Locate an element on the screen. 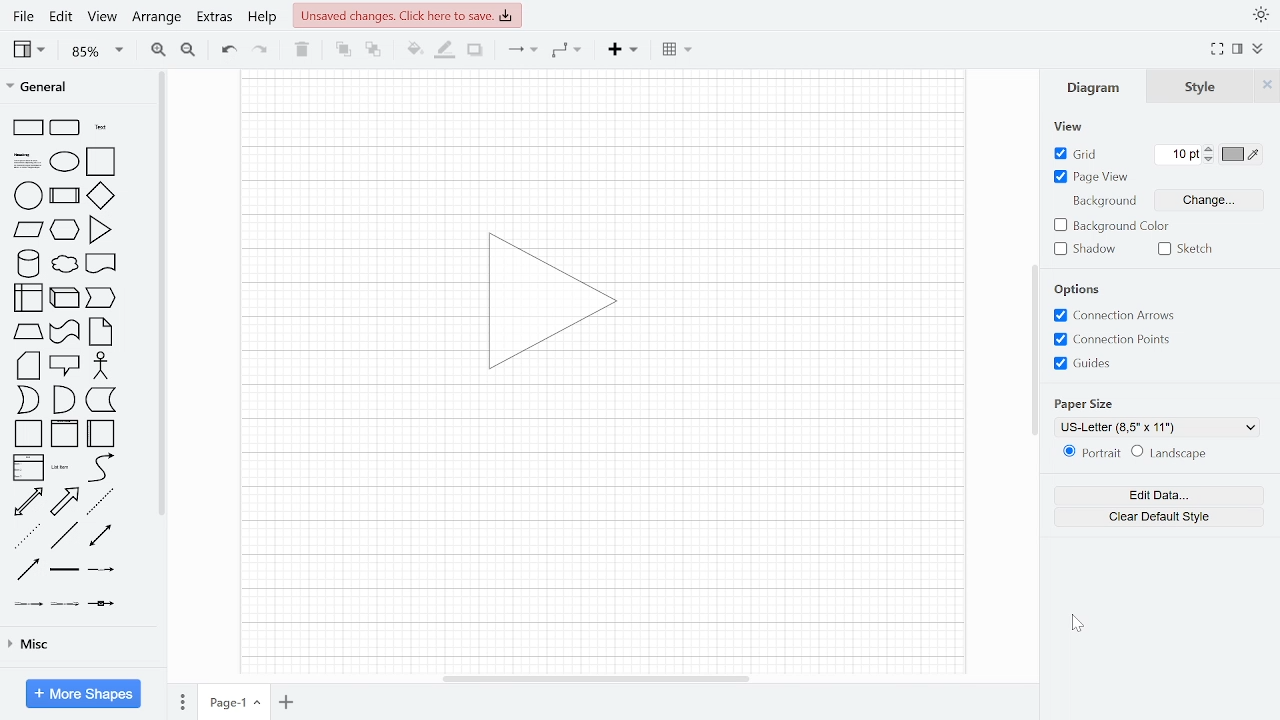 This screenshot has width=1280, height=720. Directional connector is located at coordinates (28, 570).